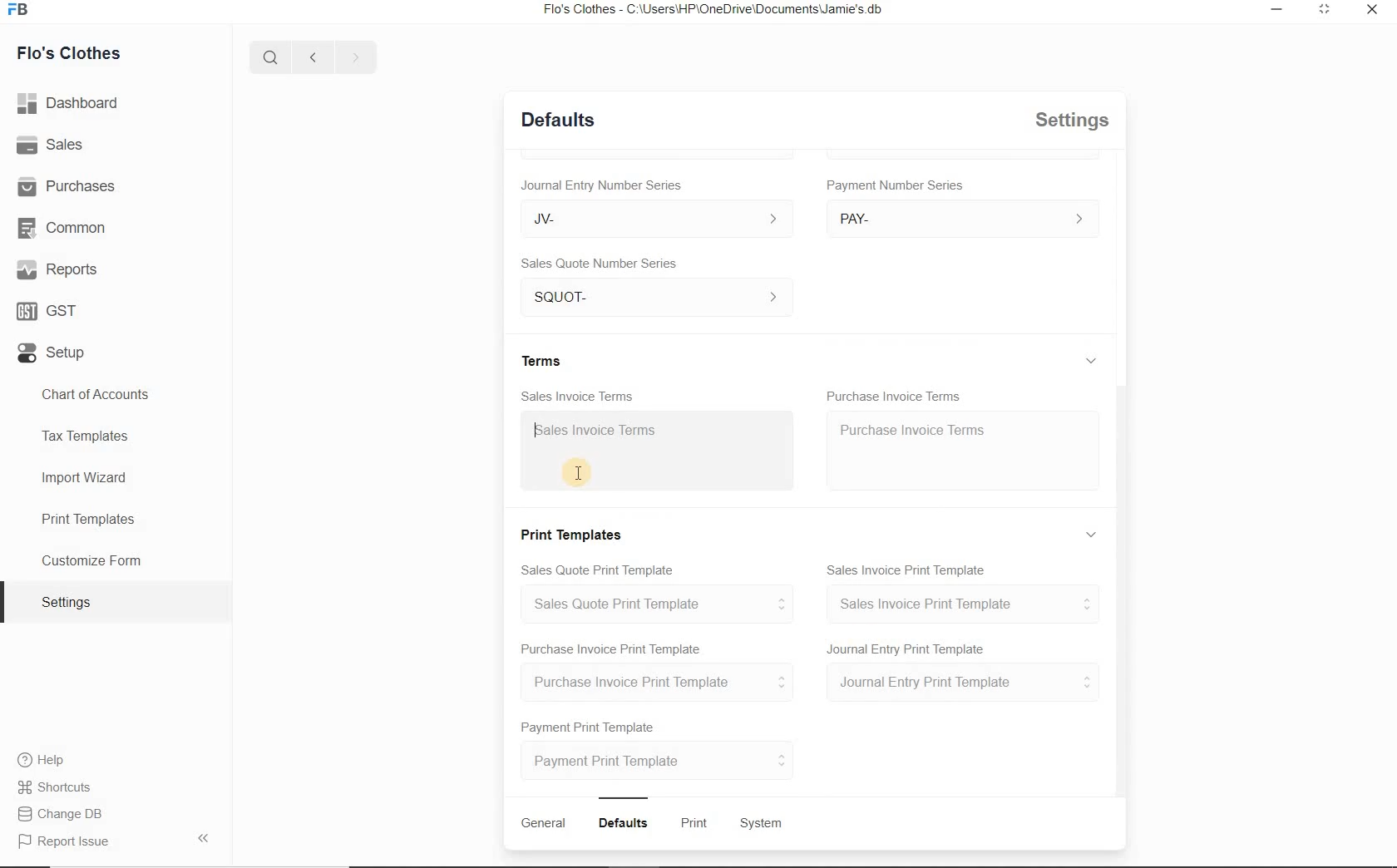 This screenshot has width=1397, height=868. I want to click on Change DB, so click(59, 814).